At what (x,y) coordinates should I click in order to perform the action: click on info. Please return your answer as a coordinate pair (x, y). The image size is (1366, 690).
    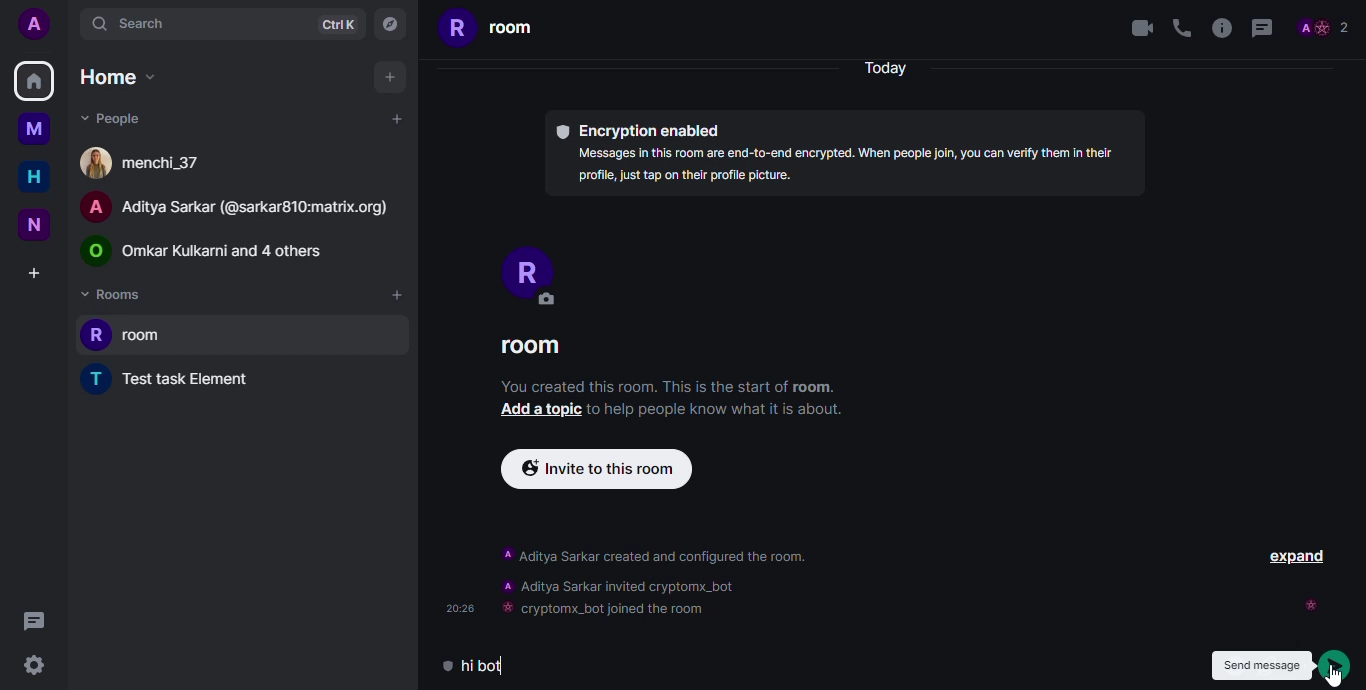
    Looking at the image, I should click on (1223, 28).